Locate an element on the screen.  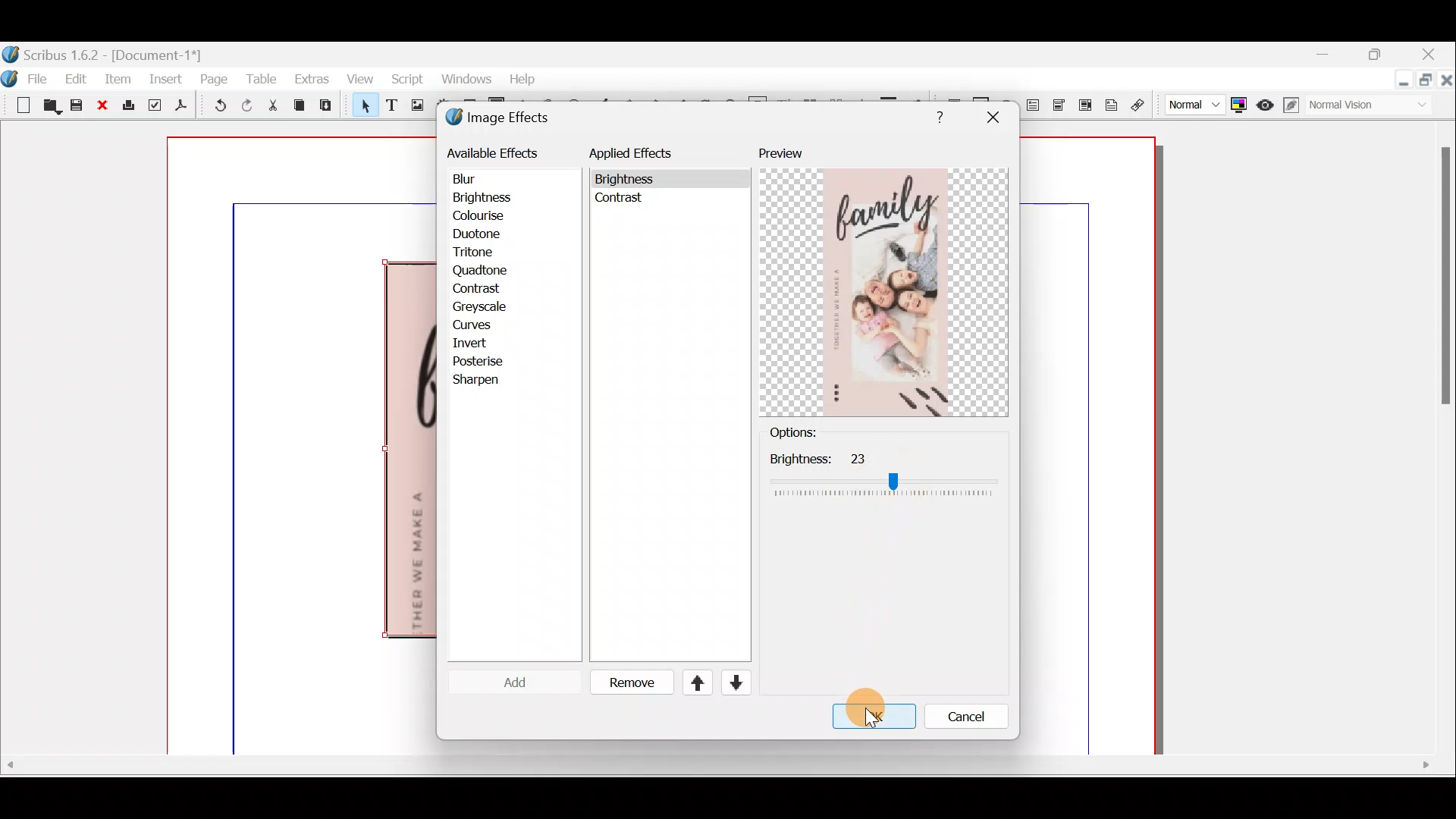
New is located at coordinates (17, 104).